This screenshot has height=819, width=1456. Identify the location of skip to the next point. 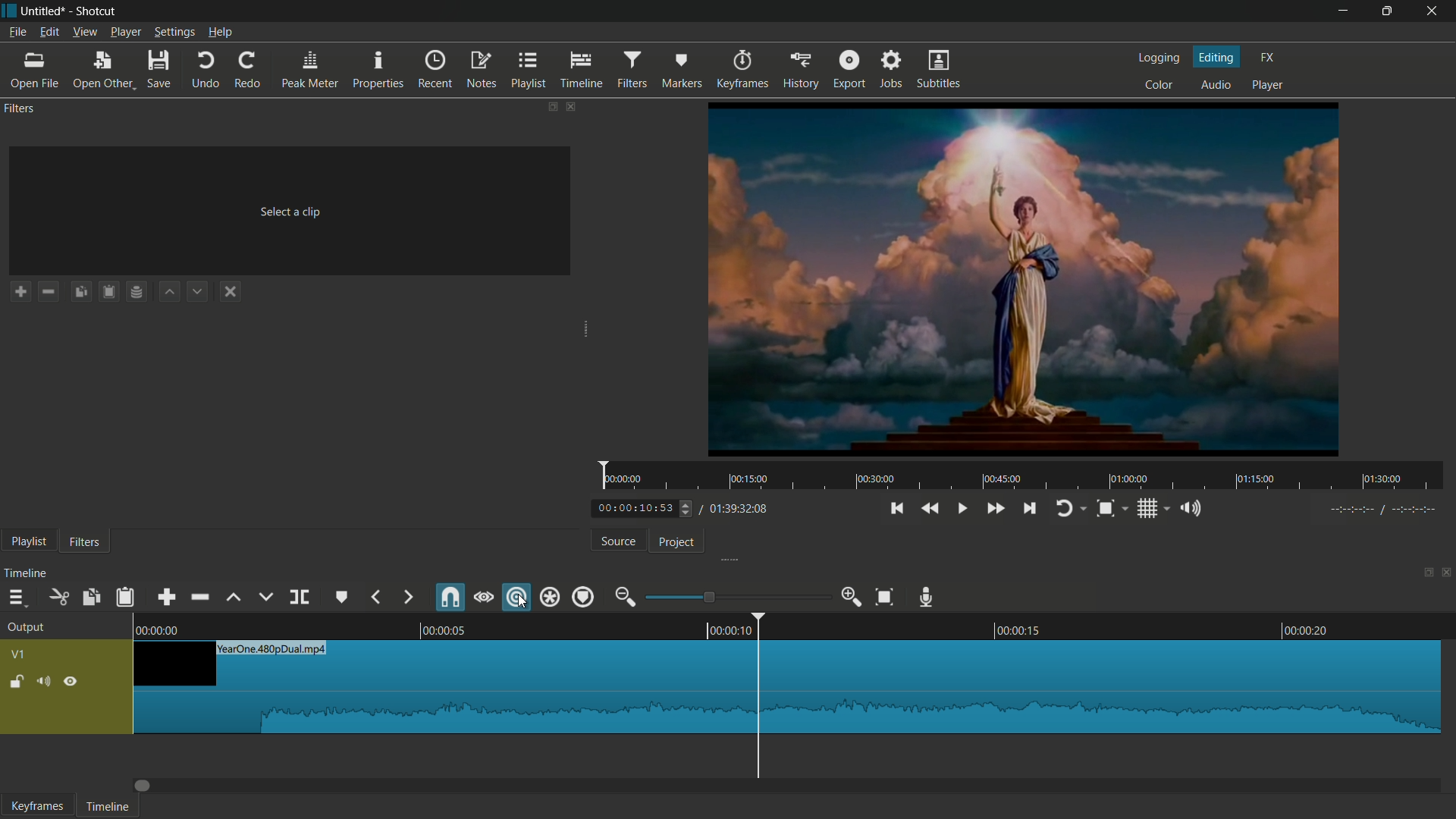
(1029, 509).